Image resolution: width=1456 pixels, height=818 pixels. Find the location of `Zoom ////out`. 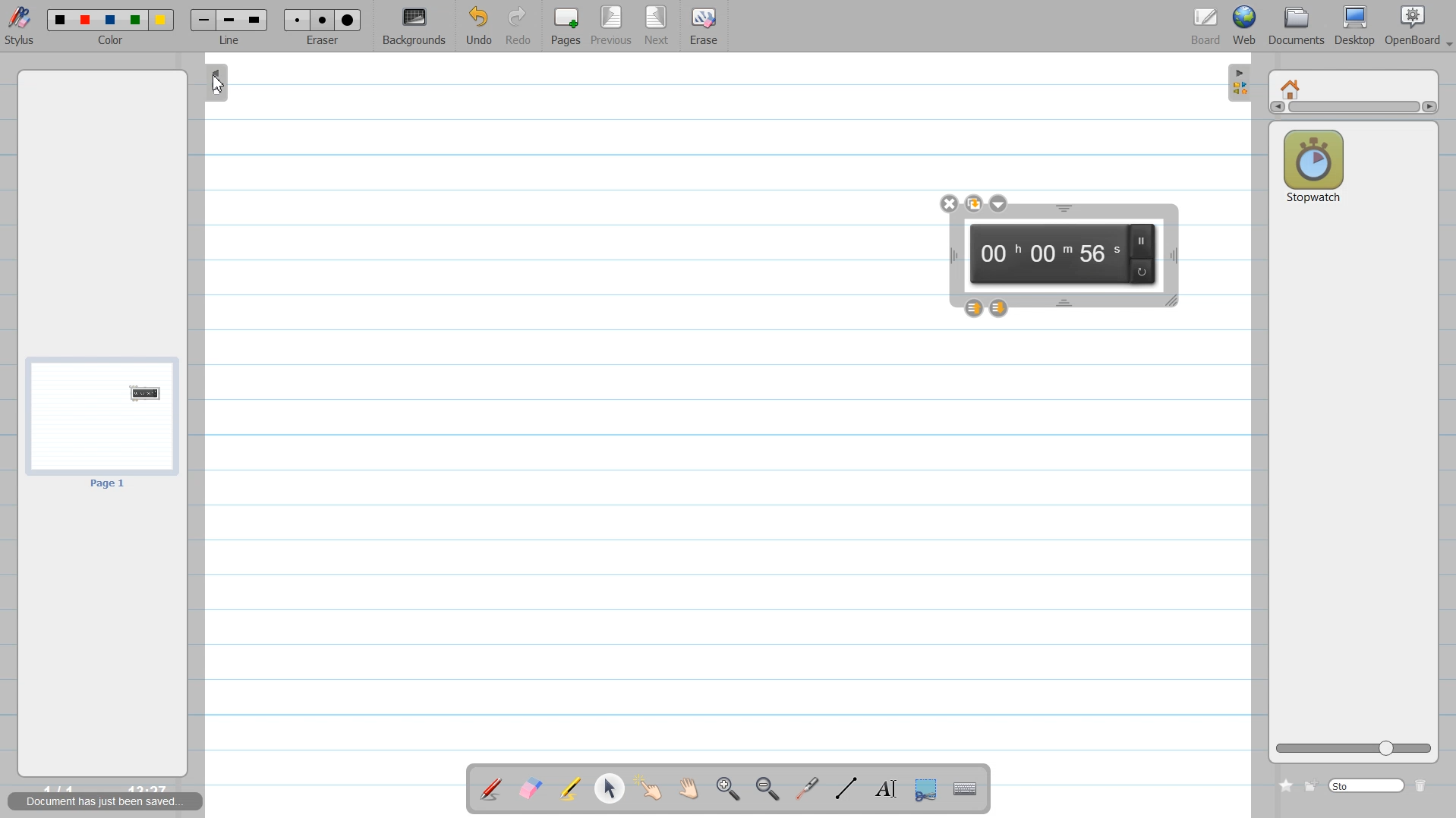

Zoom ////out is located at coordinates (769, 788).